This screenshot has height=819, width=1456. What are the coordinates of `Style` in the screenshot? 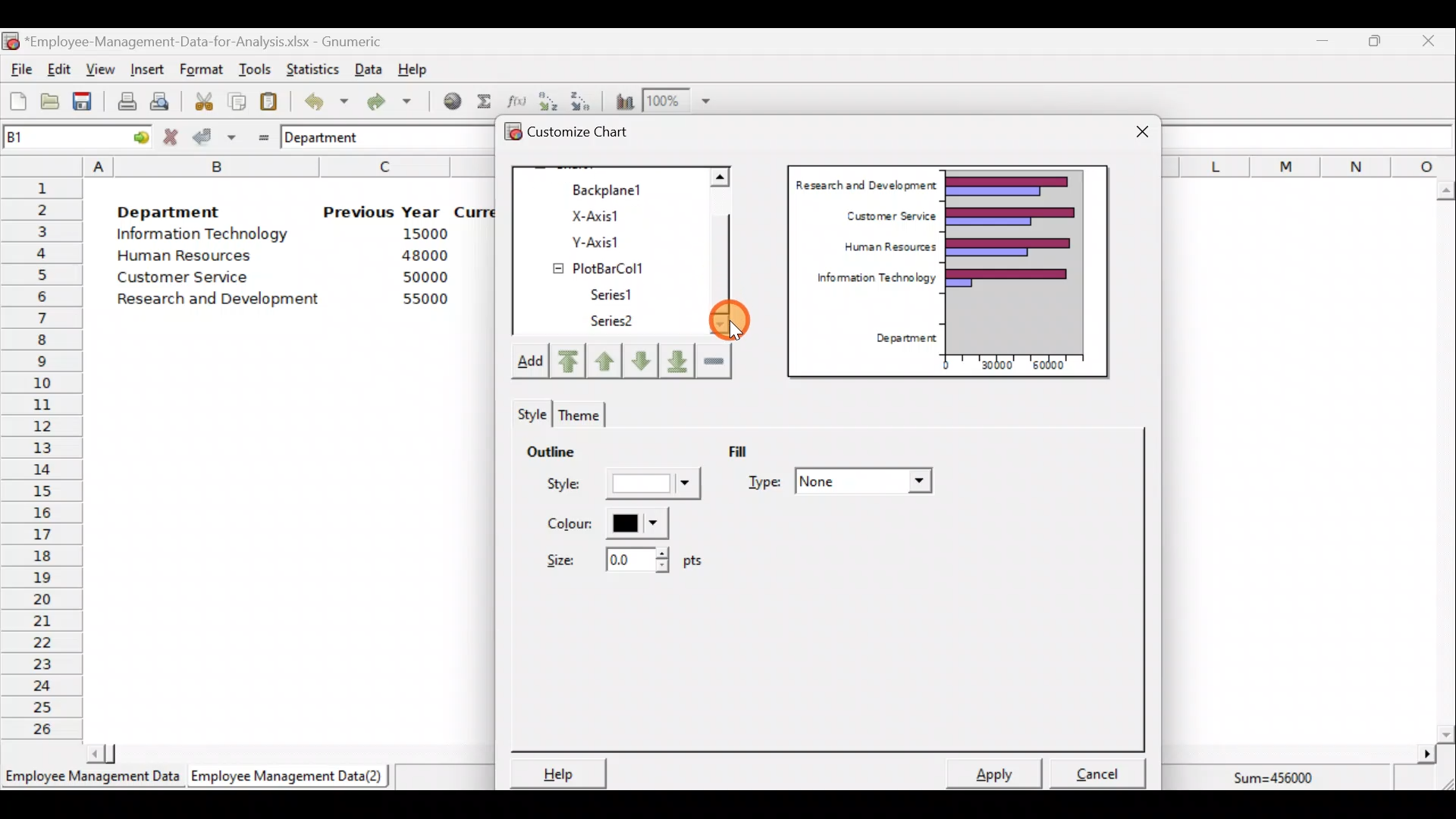 It's located at (626, 488).